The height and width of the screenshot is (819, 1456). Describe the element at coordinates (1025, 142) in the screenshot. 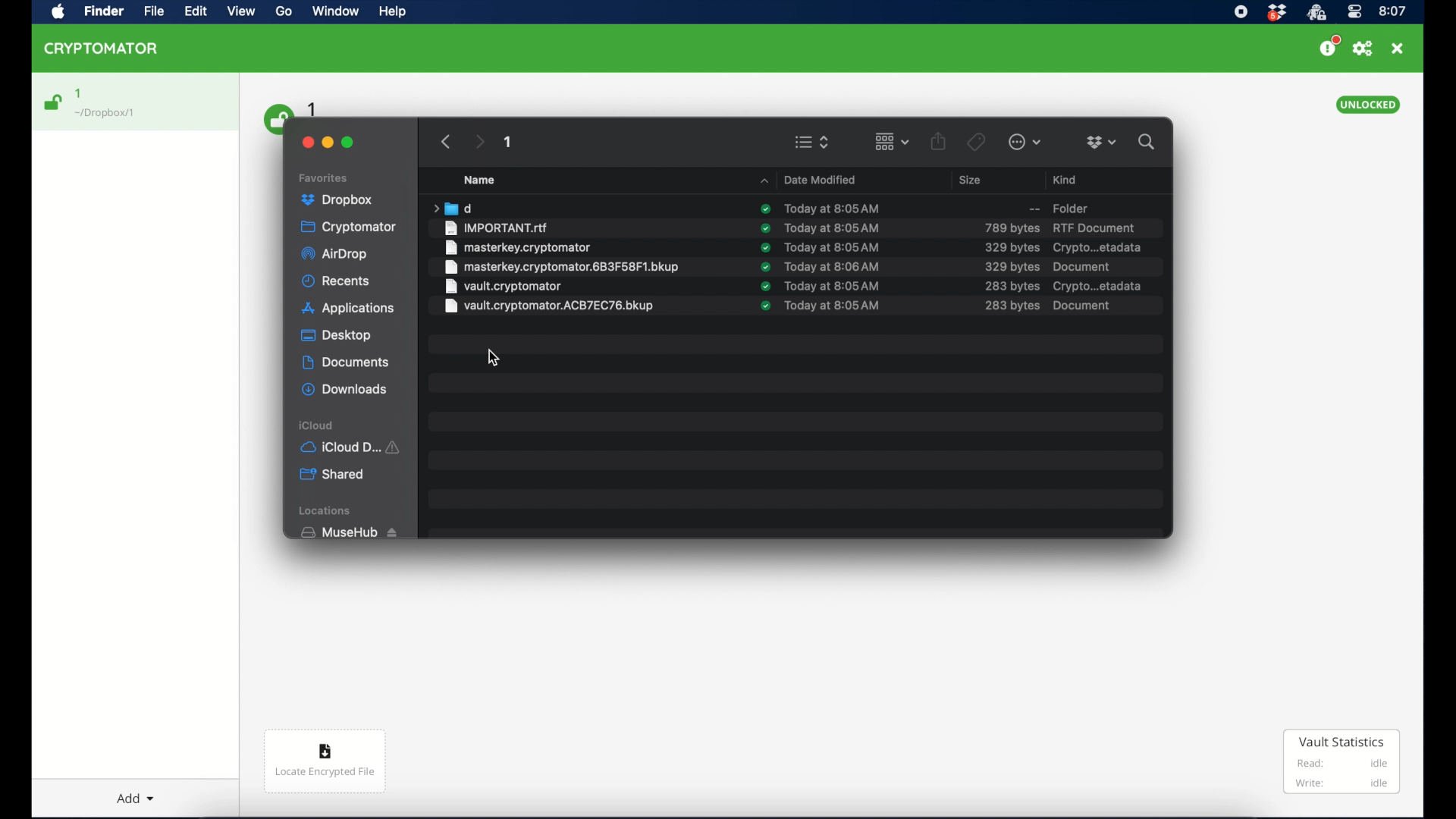

I see `more options` at that location.